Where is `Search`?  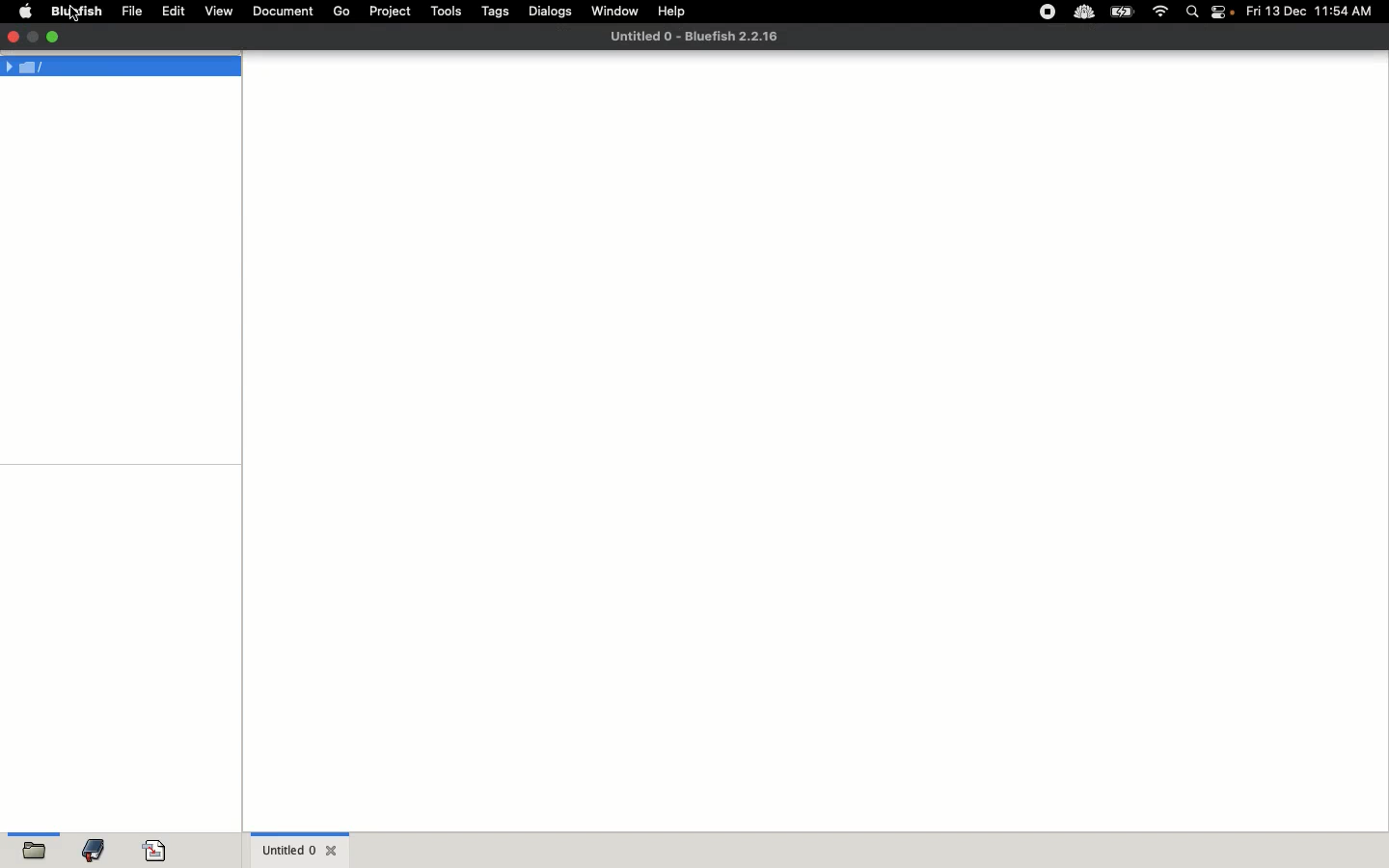
Search is located at coordinates (1193, 14).